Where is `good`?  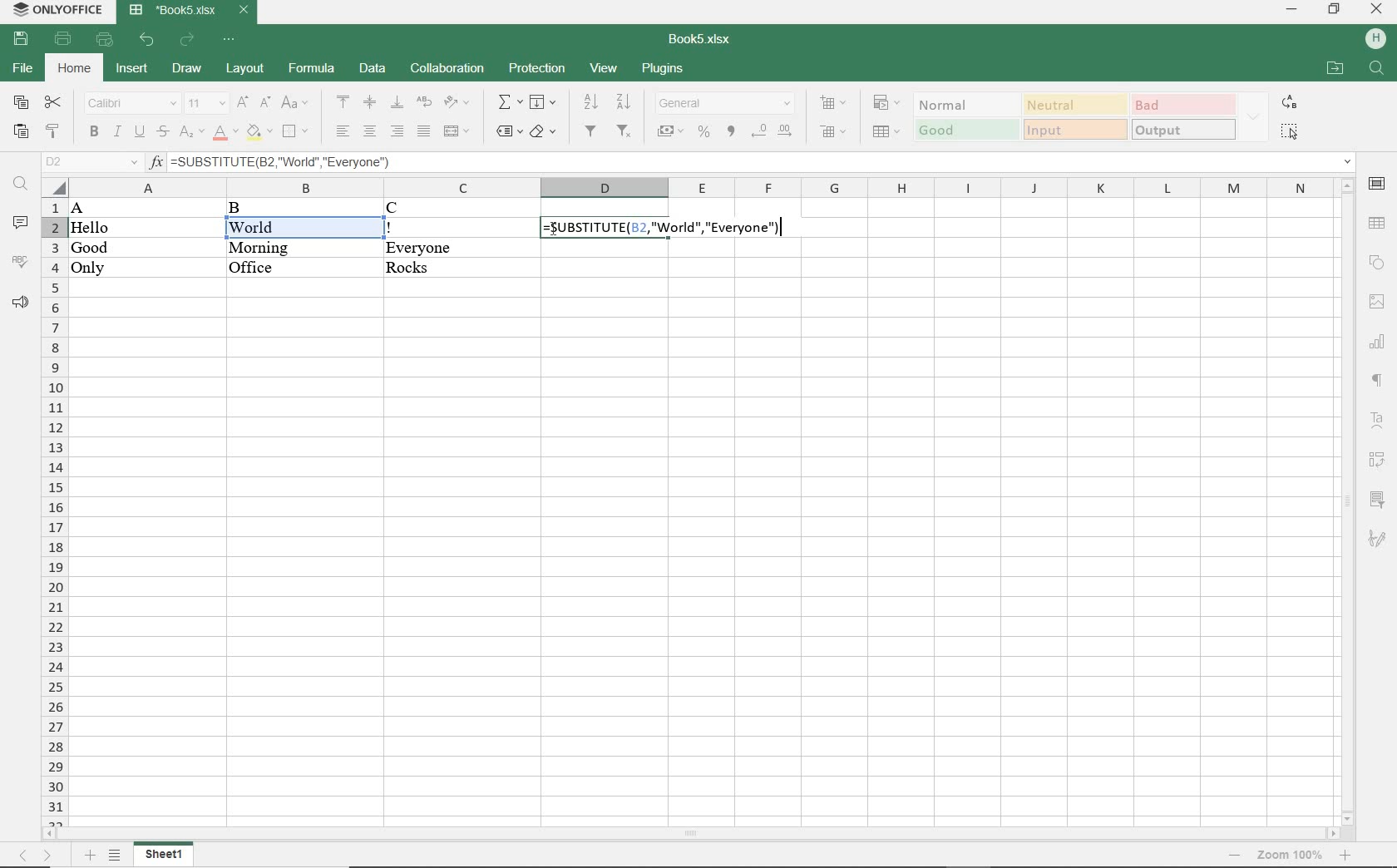 good is located at coordinates (966, 131).